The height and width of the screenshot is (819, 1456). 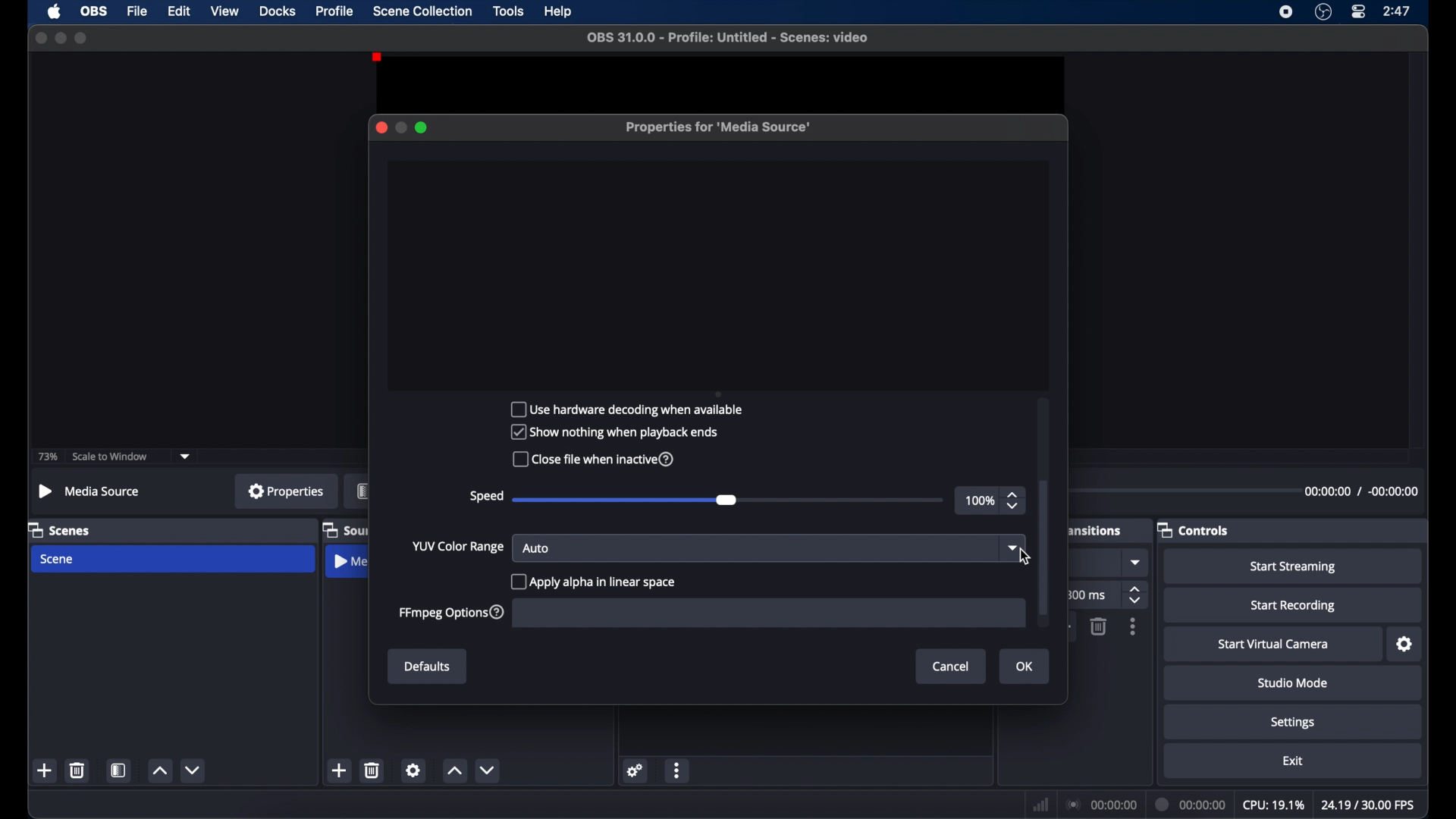 What do you see at coordinates (59, 531) in the screenshot?
I see `scenes` at bounding box center [59, 531].